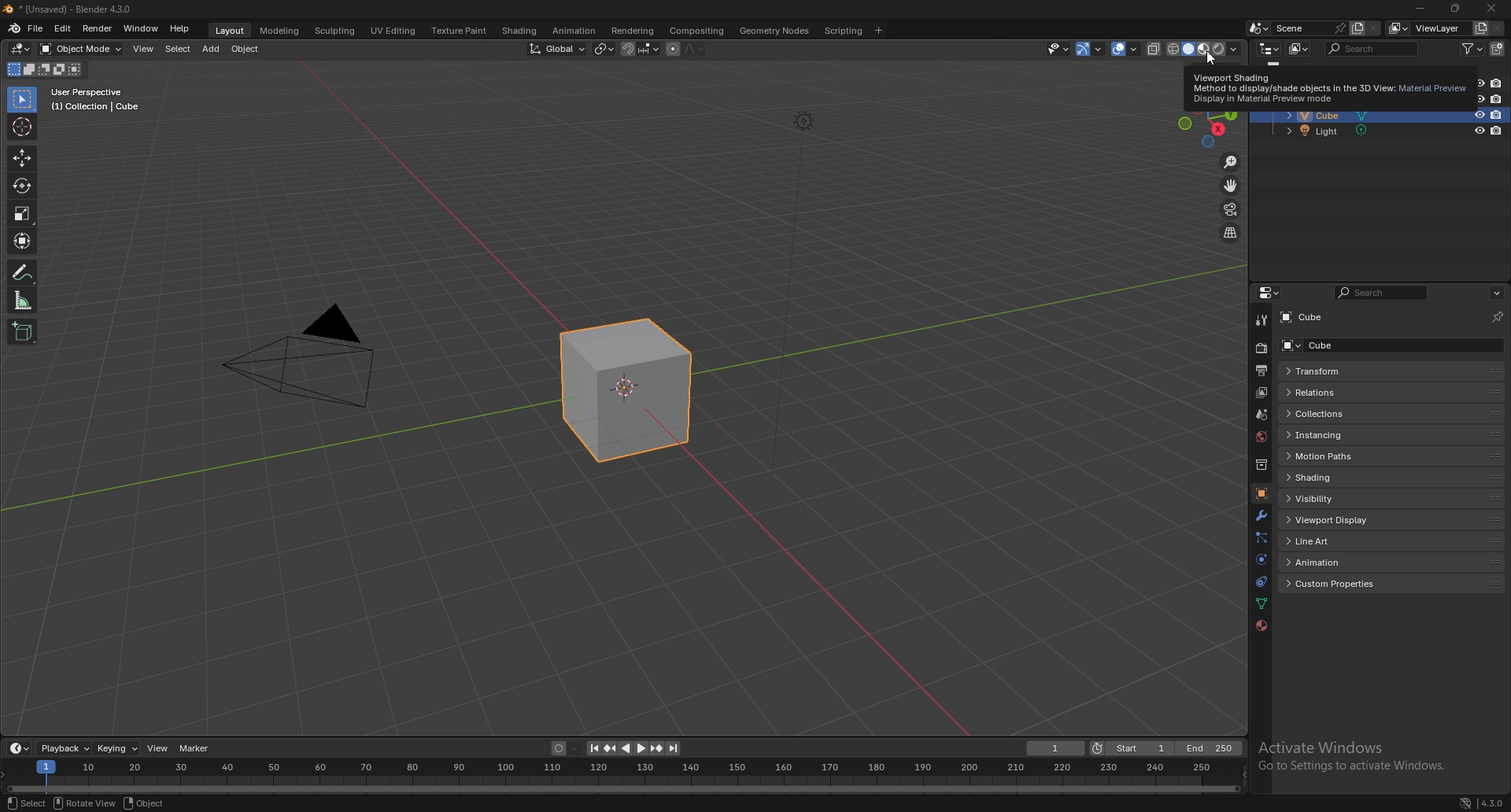 Image resolution: width=1511 pixels, height=812 pixels. Describe the element at coordinates (1310, 28) in the screenshot. I see `scene` at that location.